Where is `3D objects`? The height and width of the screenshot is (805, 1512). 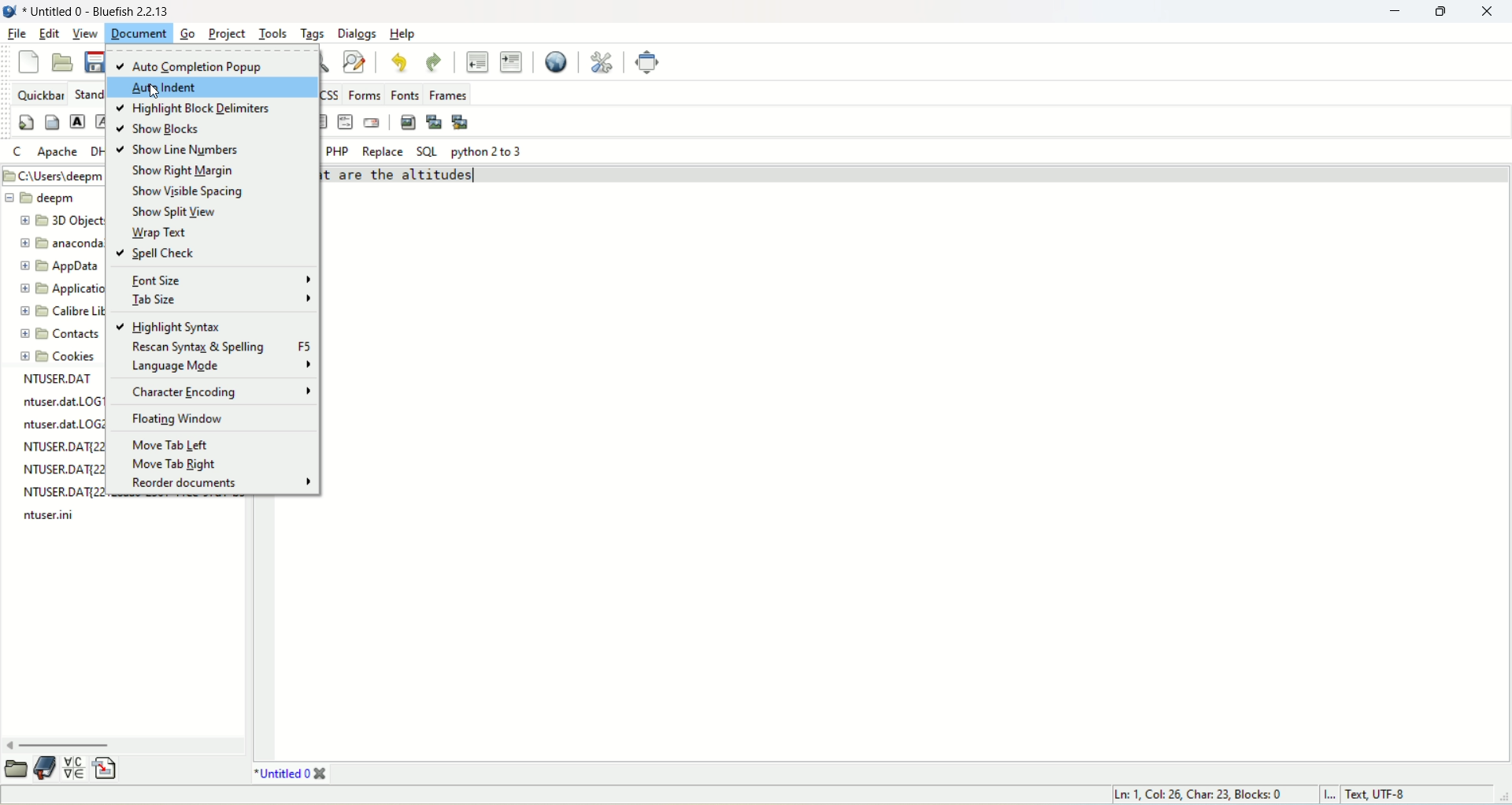
3D objects is located at coordinates (61, 223).